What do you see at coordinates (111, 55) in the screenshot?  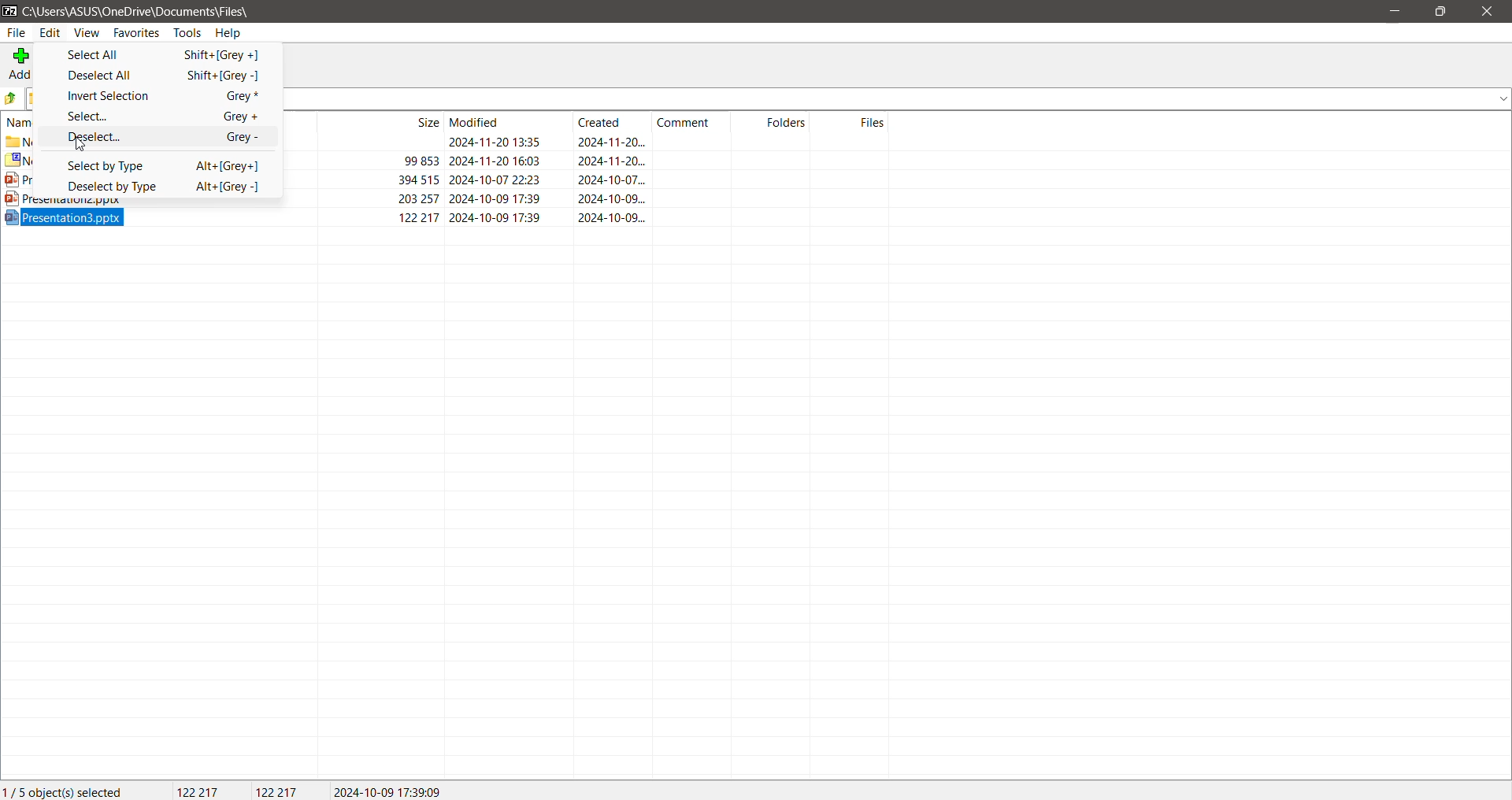 I see `Select All` at bounding box center [111, 55].